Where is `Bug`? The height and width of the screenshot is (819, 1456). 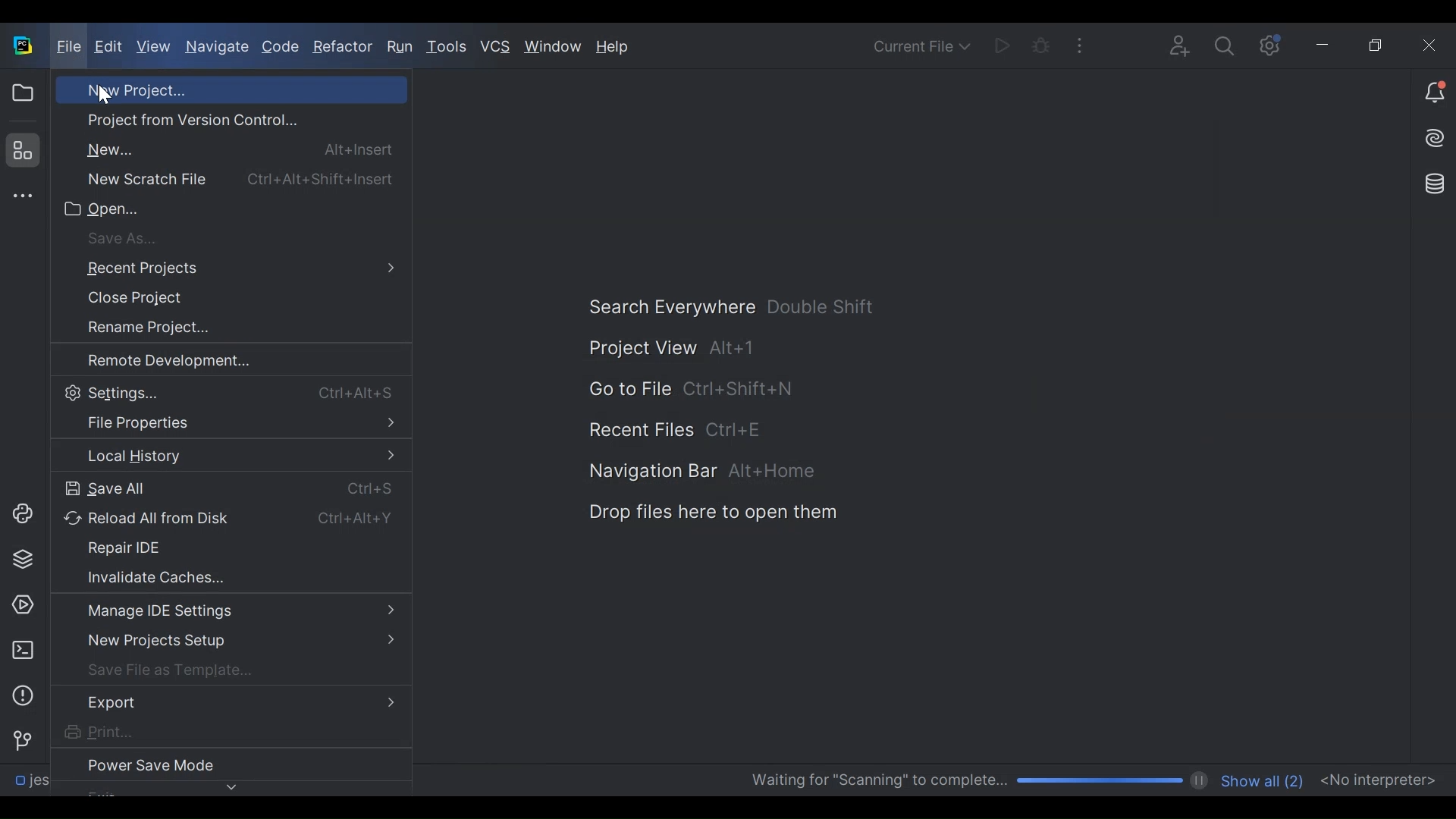
Bug is located at coordinates (1040, 47).